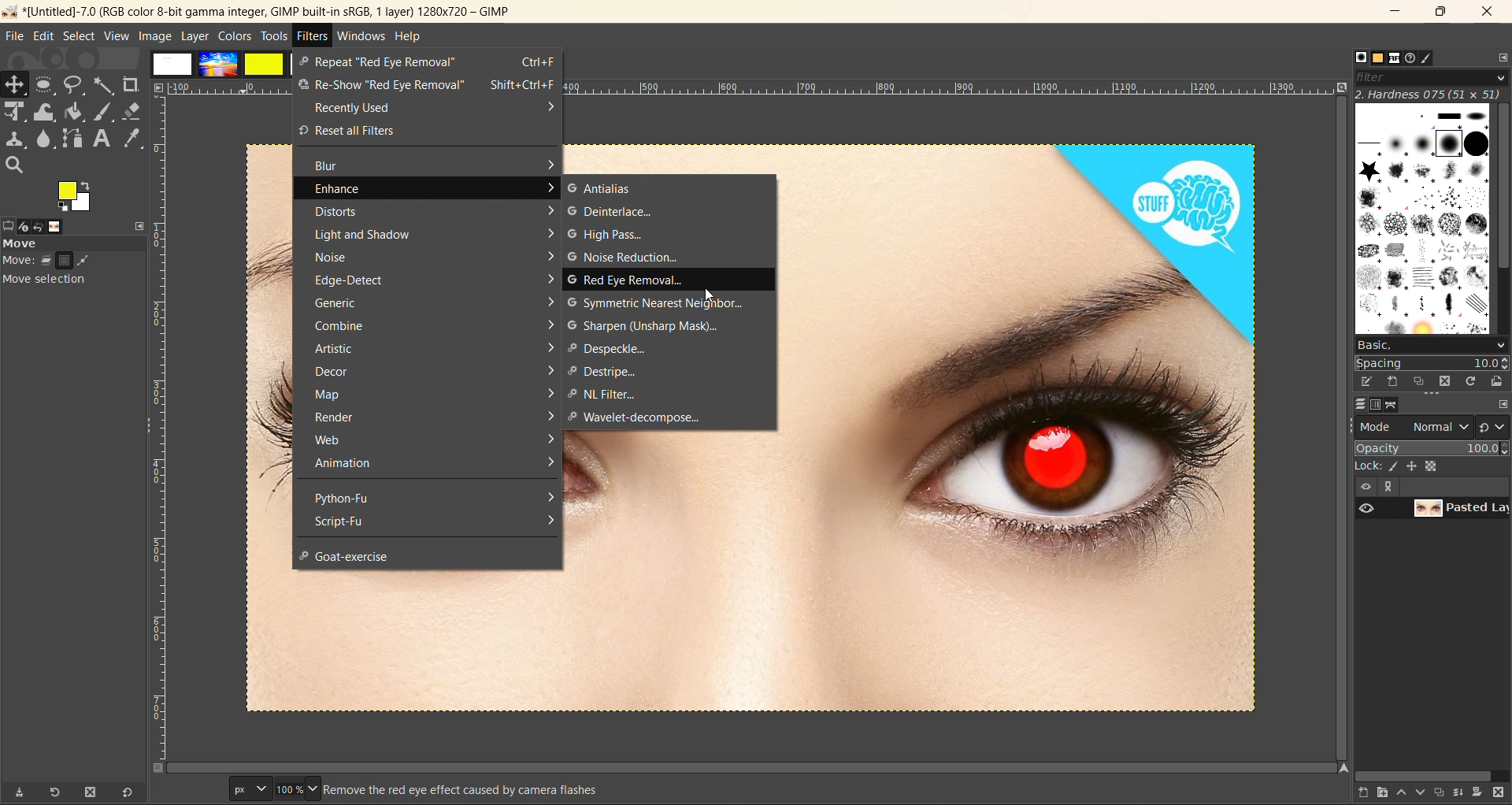  Describe the element at coordinates (75, 112) in the screenshot. I see `paint bucket` at that location.